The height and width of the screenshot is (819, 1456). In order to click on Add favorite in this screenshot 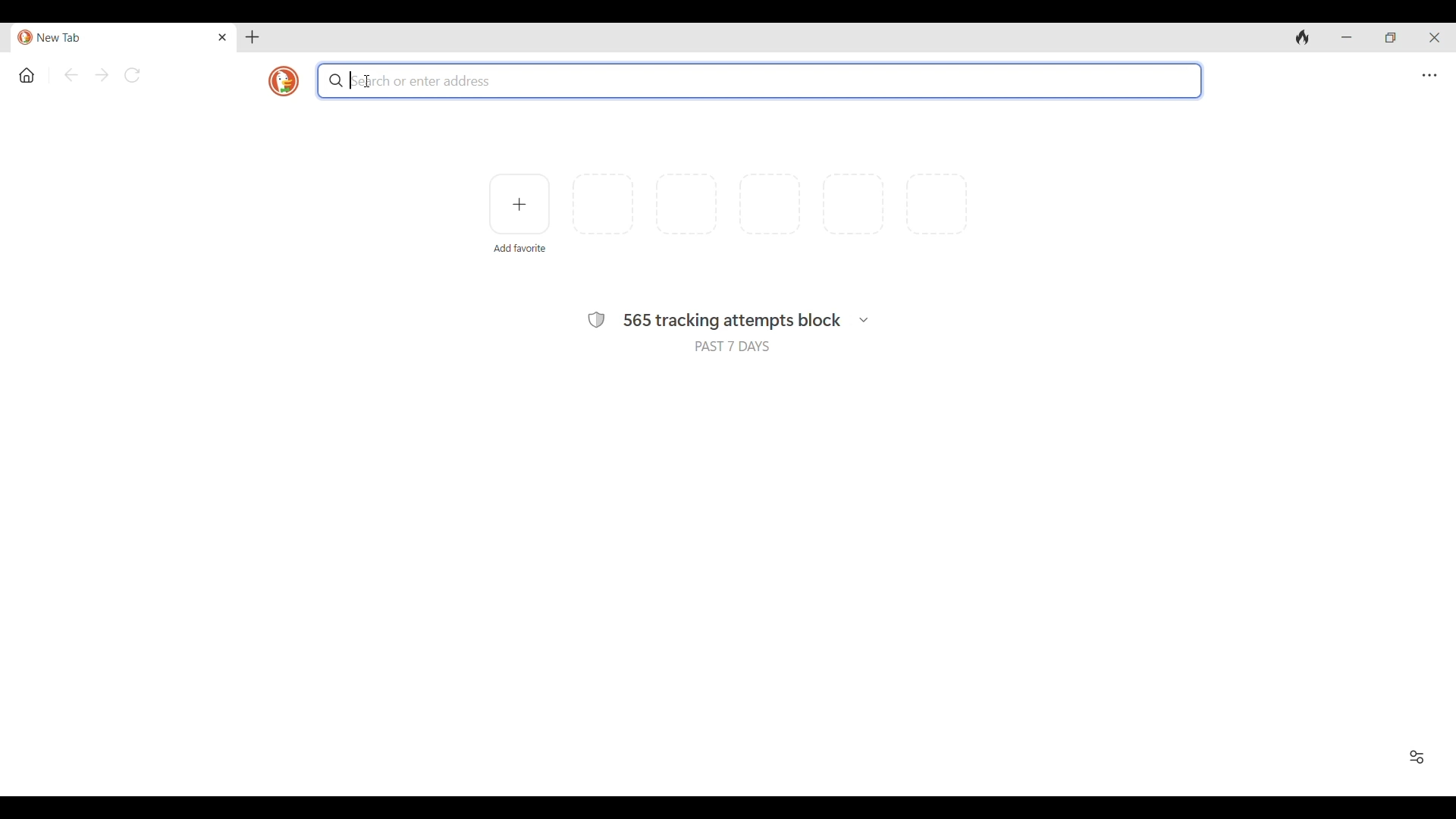, I will do `click(519, 204)`.